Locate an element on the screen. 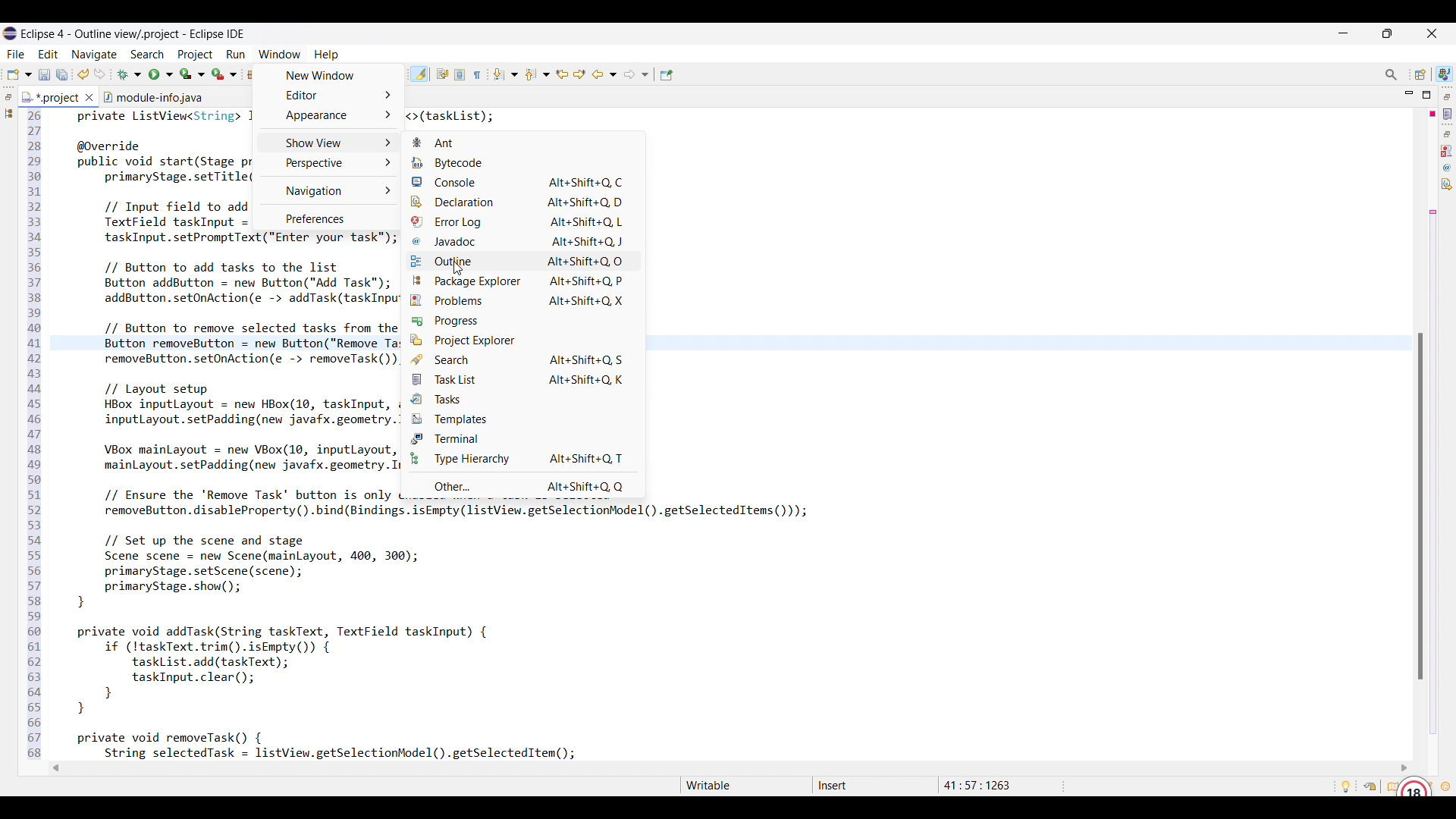 The height and width of the screenshot is (819, 1456). Editor options is located at coordinates (328, 95).